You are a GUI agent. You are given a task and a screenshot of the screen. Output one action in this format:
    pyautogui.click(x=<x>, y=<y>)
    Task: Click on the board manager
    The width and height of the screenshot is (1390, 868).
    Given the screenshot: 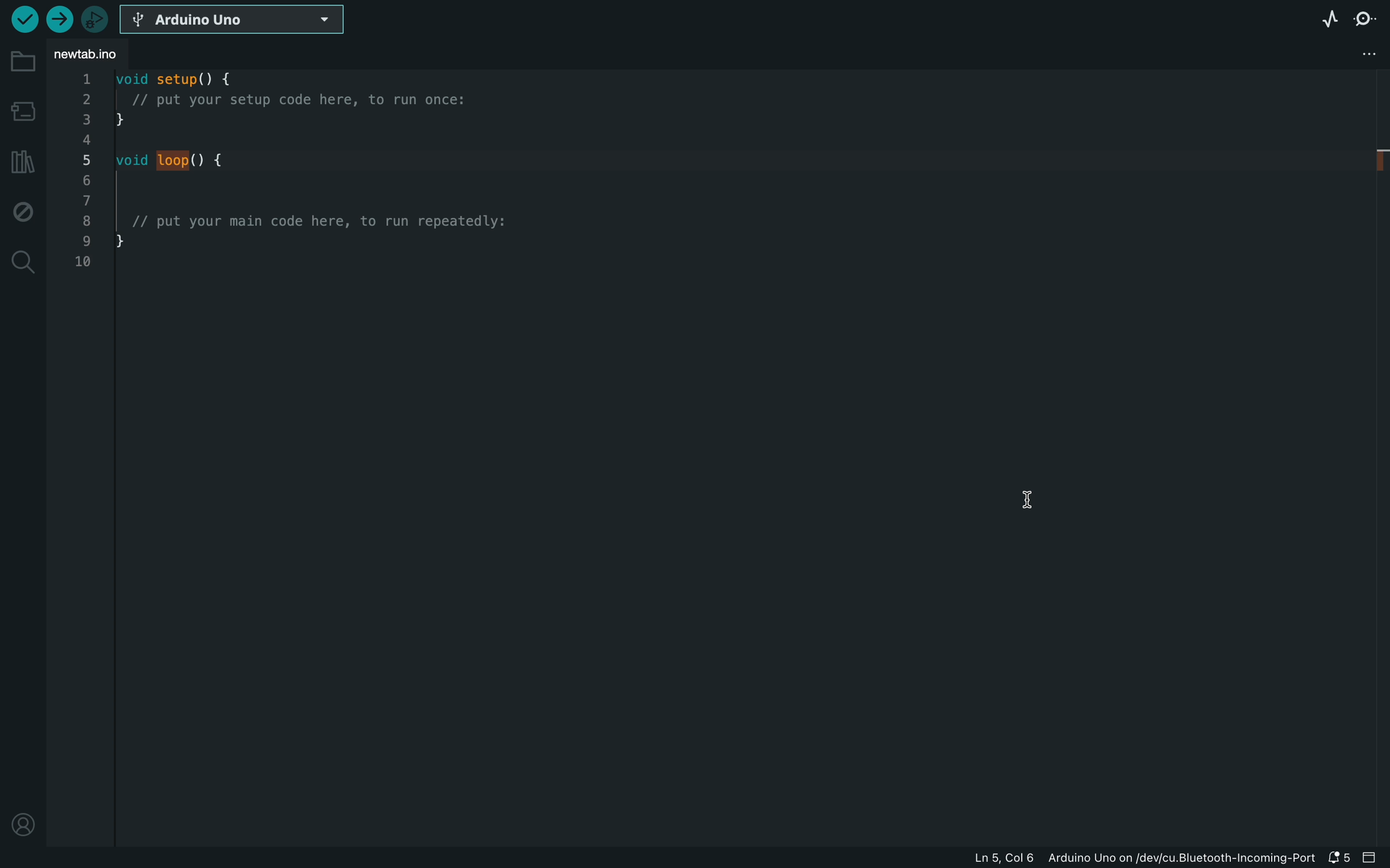 What is the action you would take?
    pyautogui.click(x=22, y=106)
    